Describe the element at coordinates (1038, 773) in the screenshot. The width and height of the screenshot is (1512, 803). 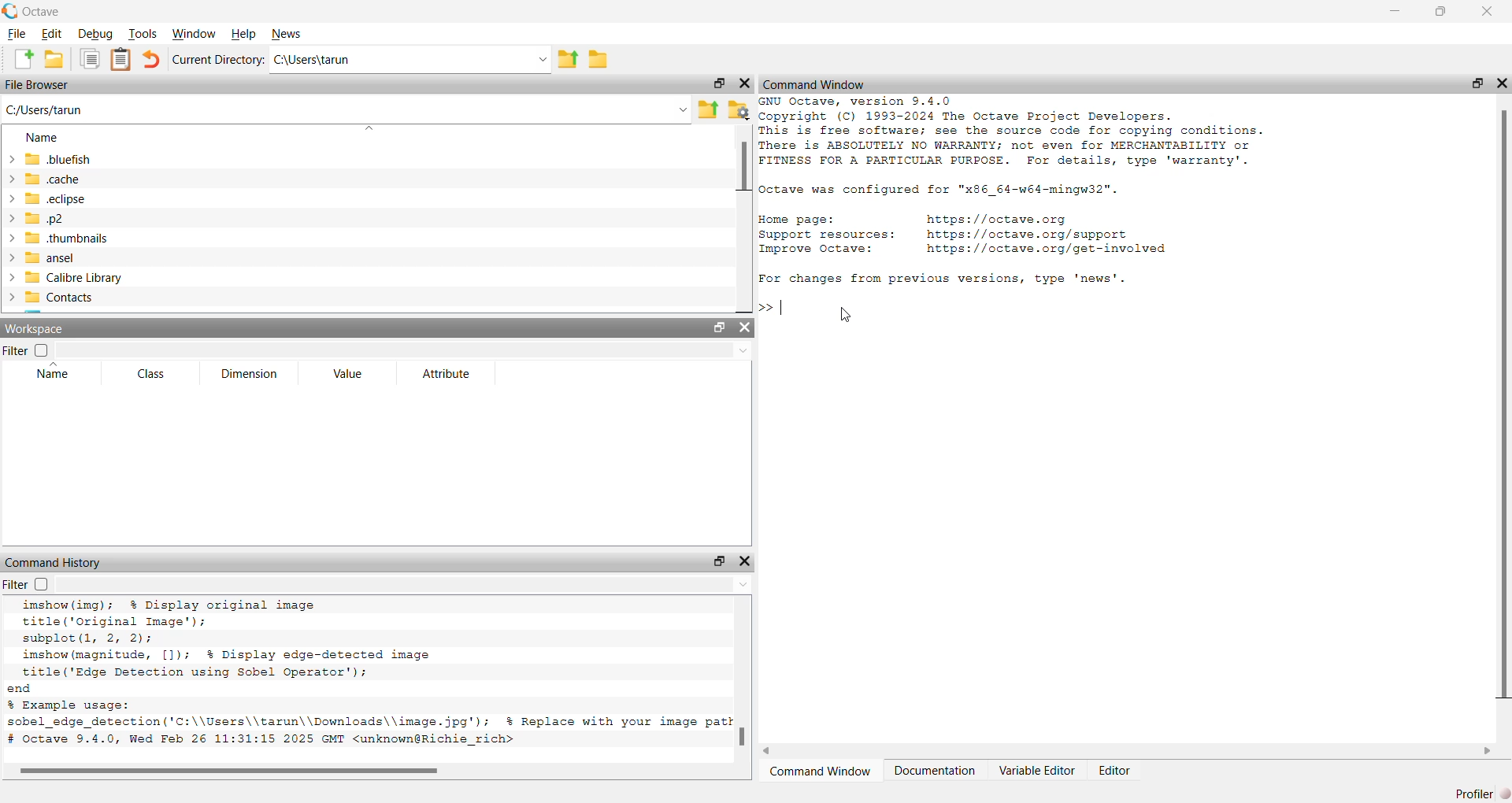
I see `Variable Editor` at that location.